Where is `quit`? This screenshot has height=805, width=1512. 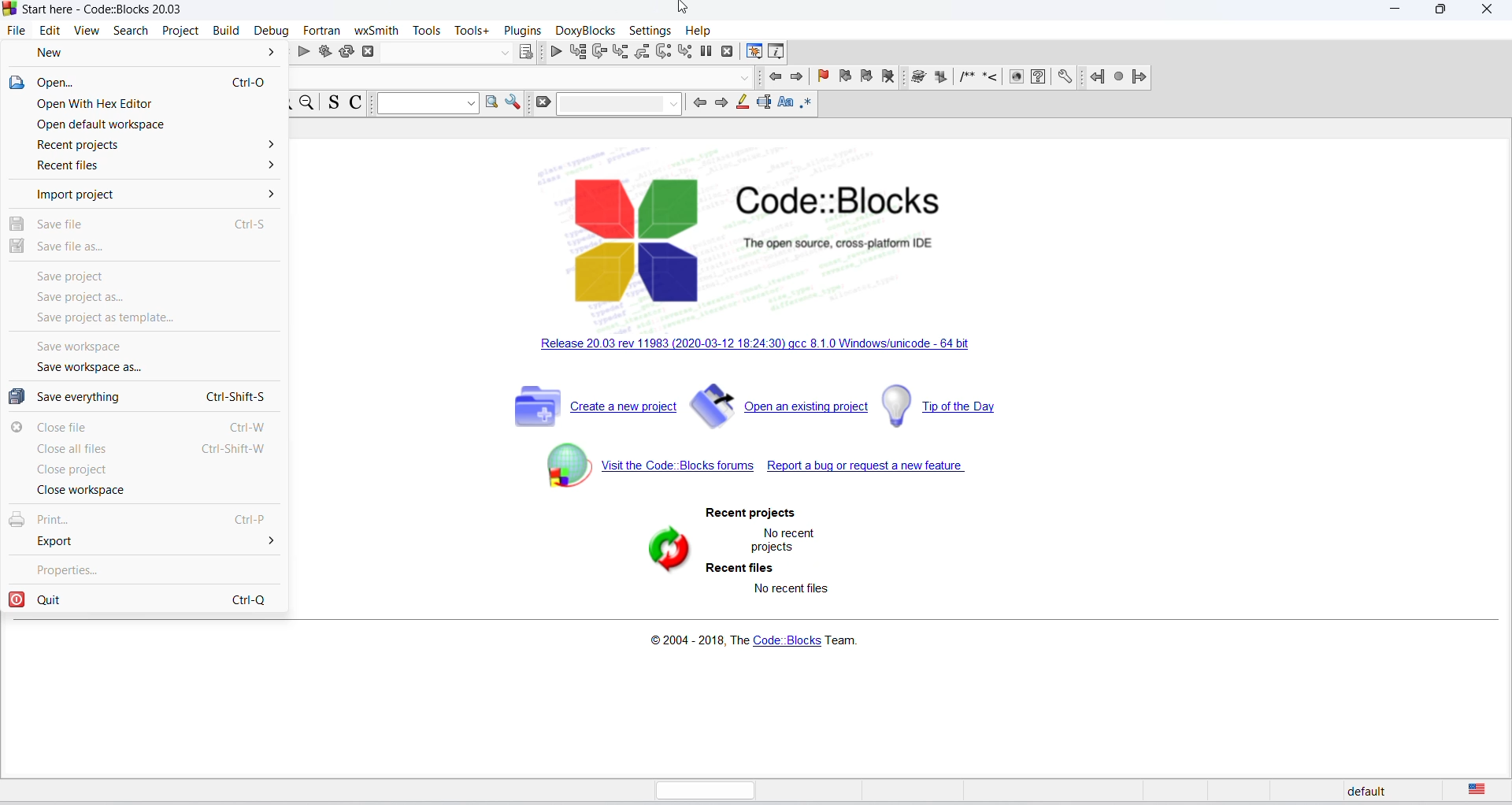
quit is located at coordinates (154, 599).